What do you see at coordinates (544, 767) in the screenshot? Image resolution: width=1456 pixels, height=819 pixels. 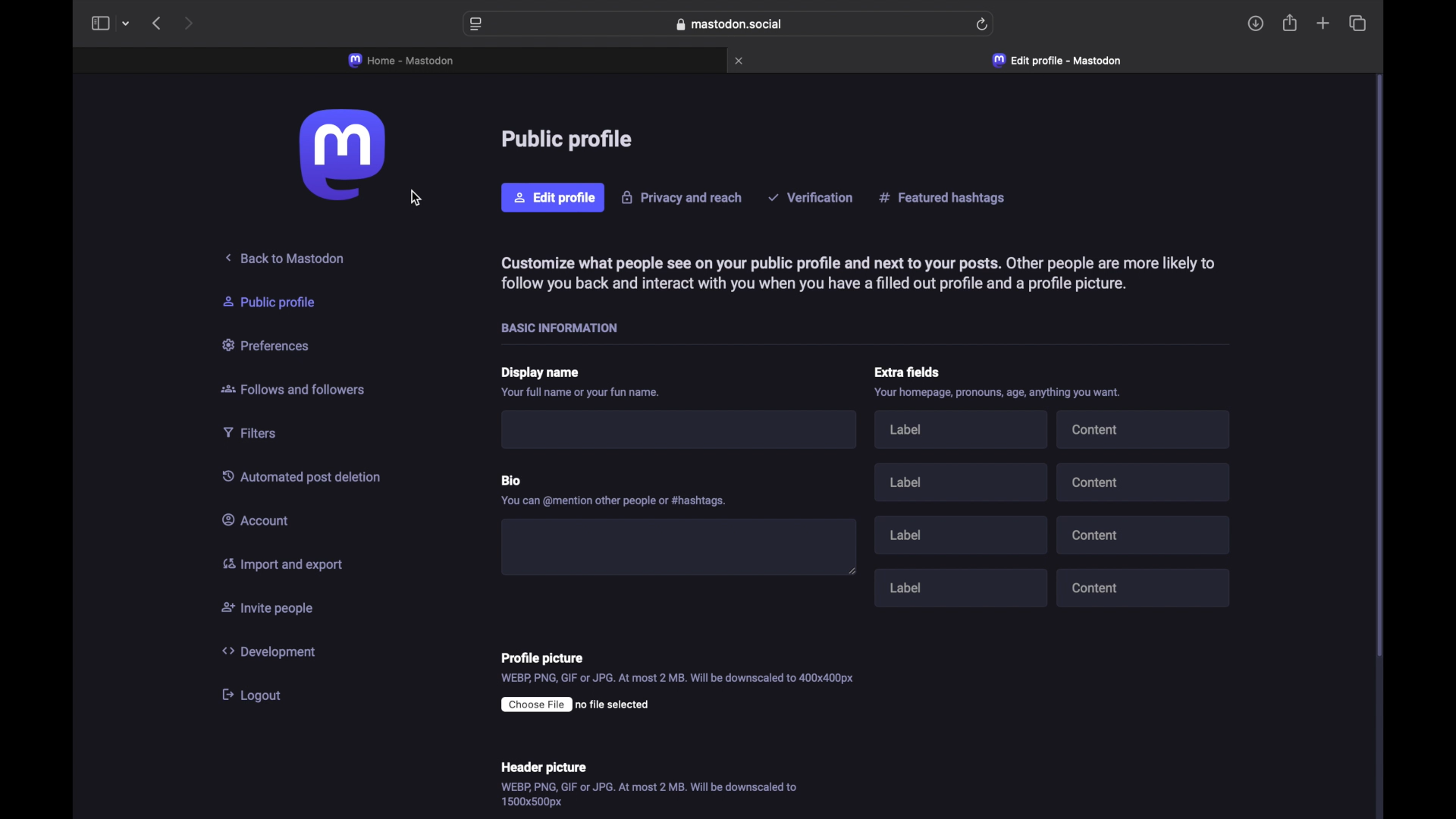 I see `header picture` at bounding box center [544, 767].